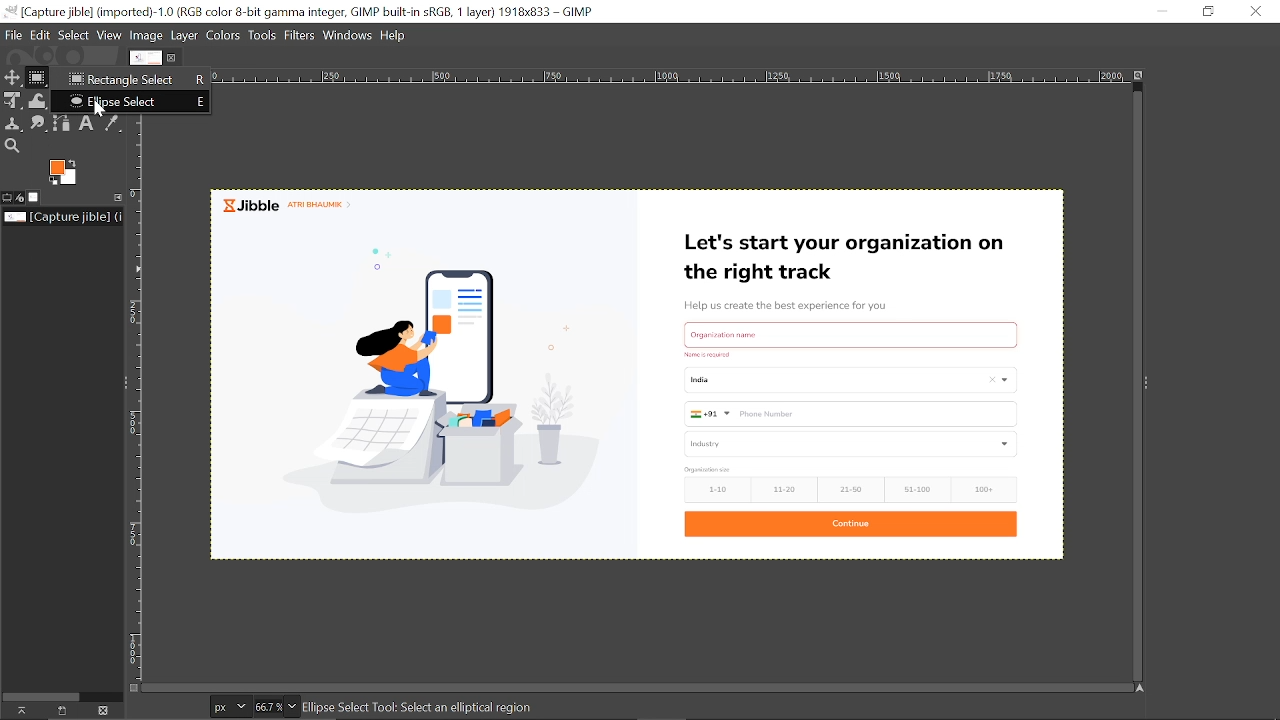 The width and height of the screenshot is (1280, 720). Describe the element at coordinates (420, 707) in the screenshot. I see `ellipse Select Tool: Select an elliptical region` at that location.